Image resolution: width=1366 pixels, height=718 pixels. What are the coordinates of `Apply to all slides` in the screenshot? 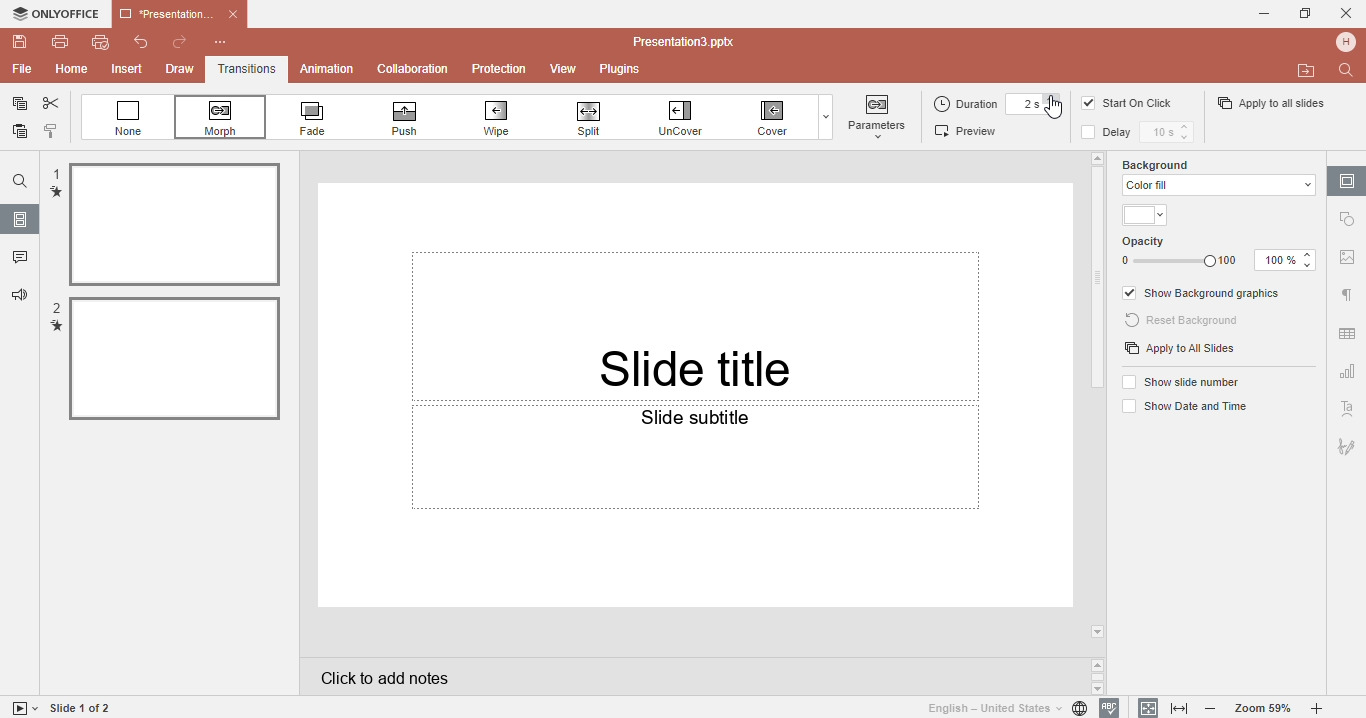 It's located at (1180, 350).